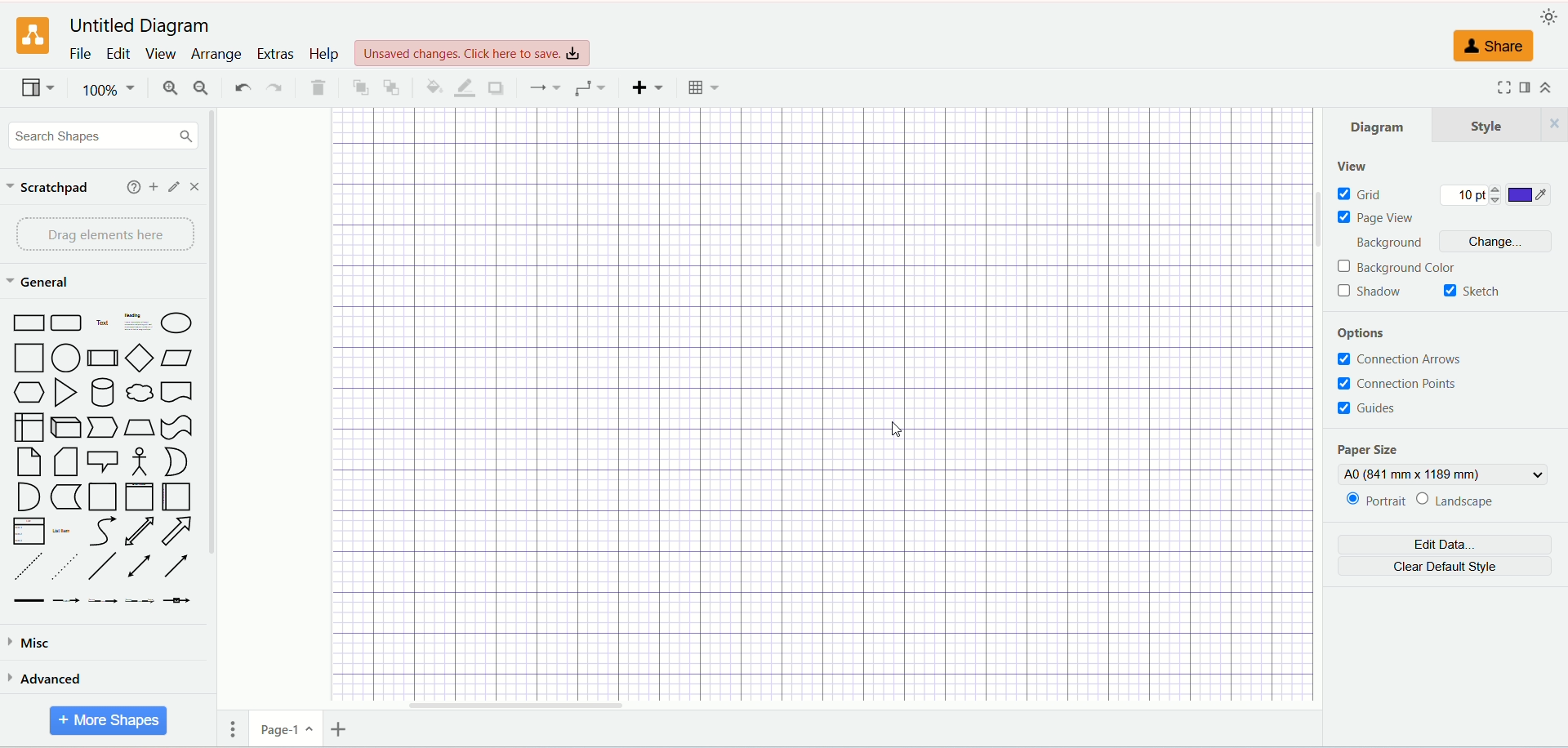 Image resolution: width=1568 pixels, height=748 pixels. What do you see at coordinates (103, 498) in the screenshot?
I see `Container` at bounding box center [103, 498].